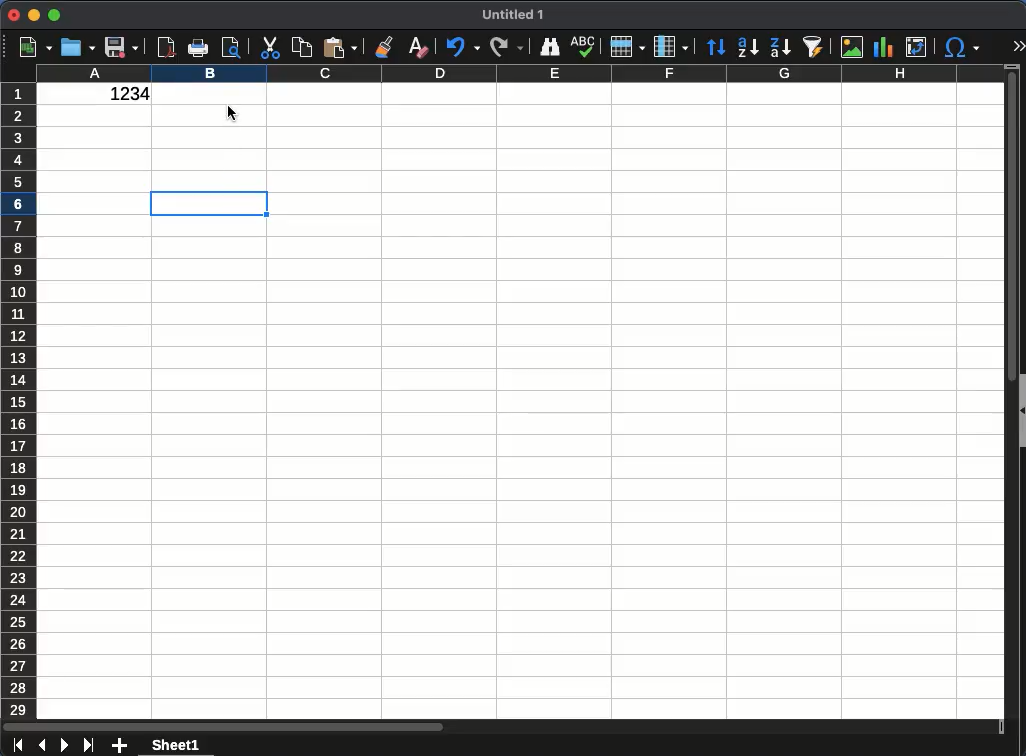 Image resolution: width=1026 pixels, height=756 pixels. Describe the element at coordinates (883, 48) in the screenshot. I see `chart` at that location.